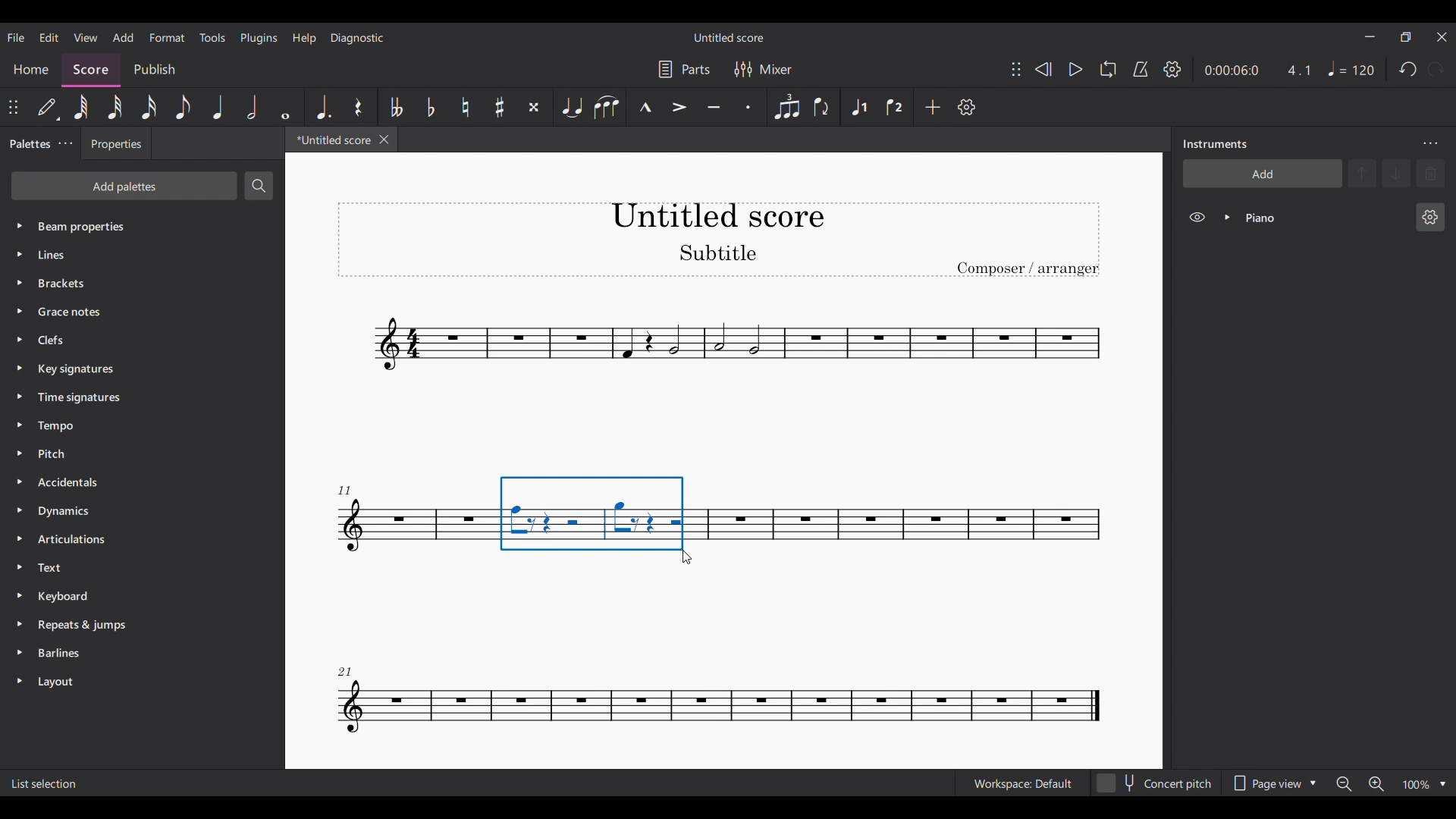 The width and height of the screenshot is (1456, 819). What do you see at coordinates (259, 39) in the screenshot?
I see `Plugins menu` at bounding box center [259, 39].